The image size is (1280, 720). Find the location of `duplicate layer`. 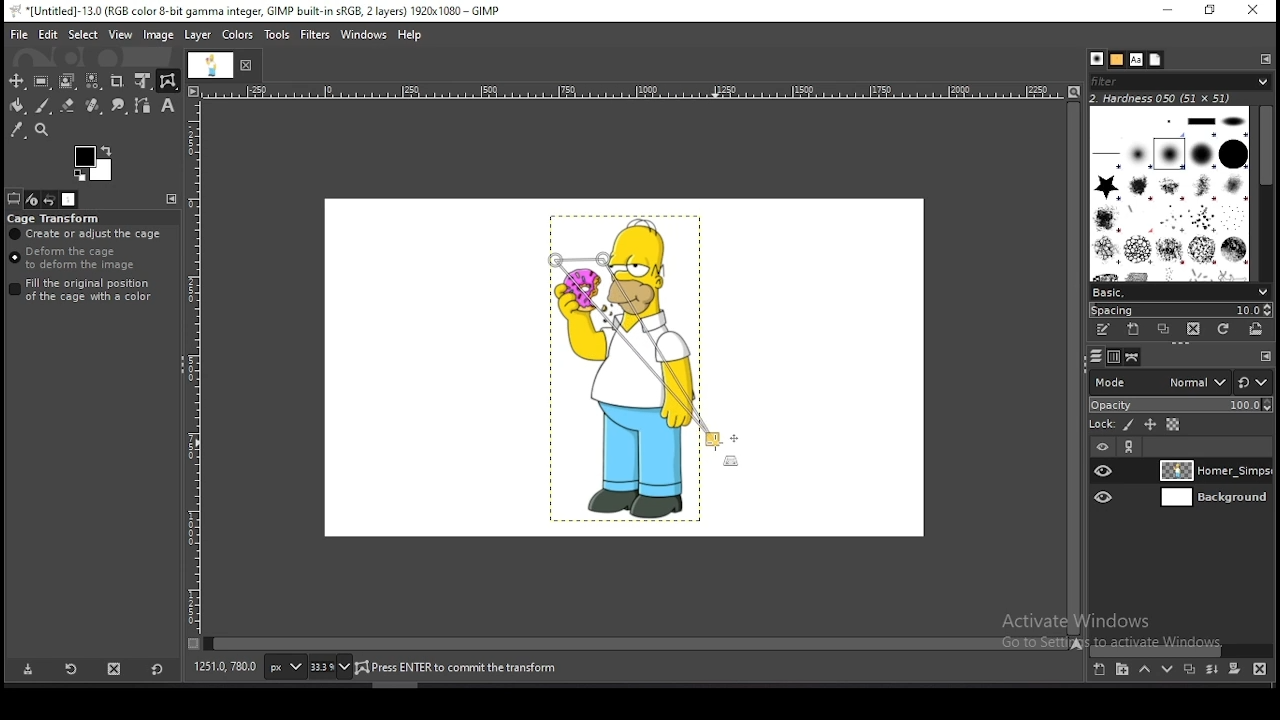

duplicate layer is located at coordinates (1189, 672).